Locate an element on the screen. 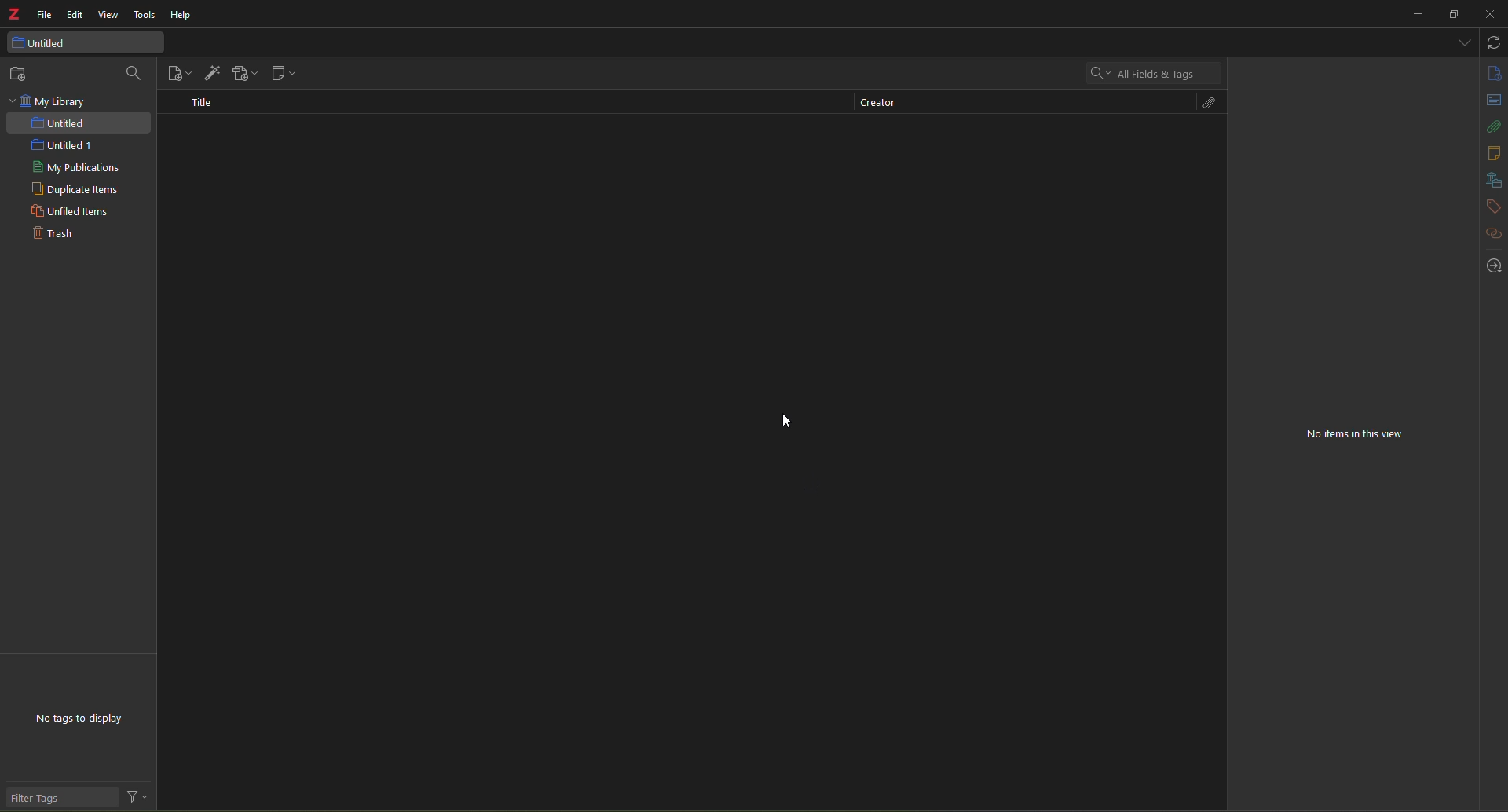 This screenshot has height=812, width=1508. related is located at coordinates (1495, 234).